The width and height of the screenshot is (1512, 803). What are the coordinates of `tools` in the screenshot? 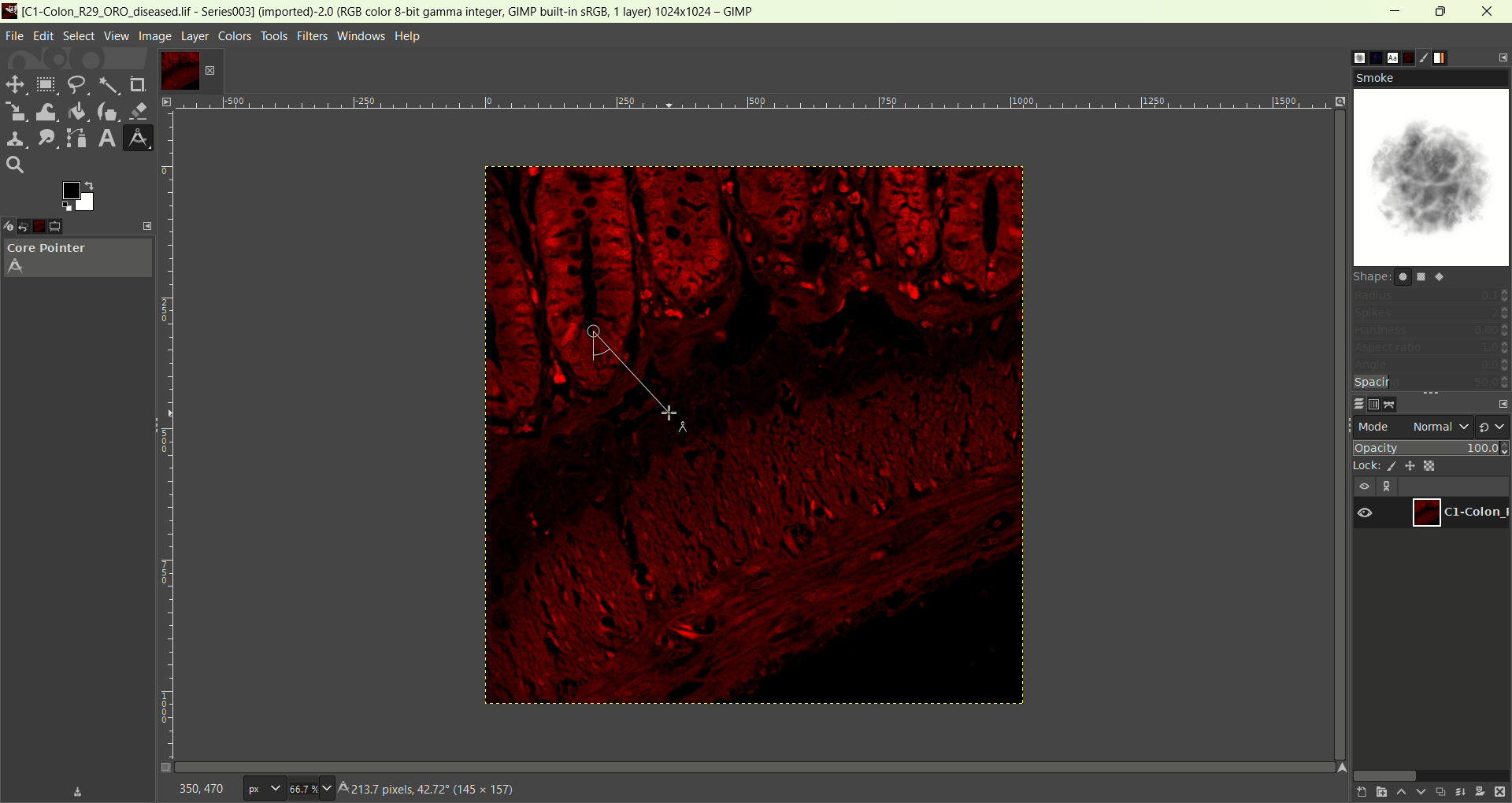 It's located at (276, 36).